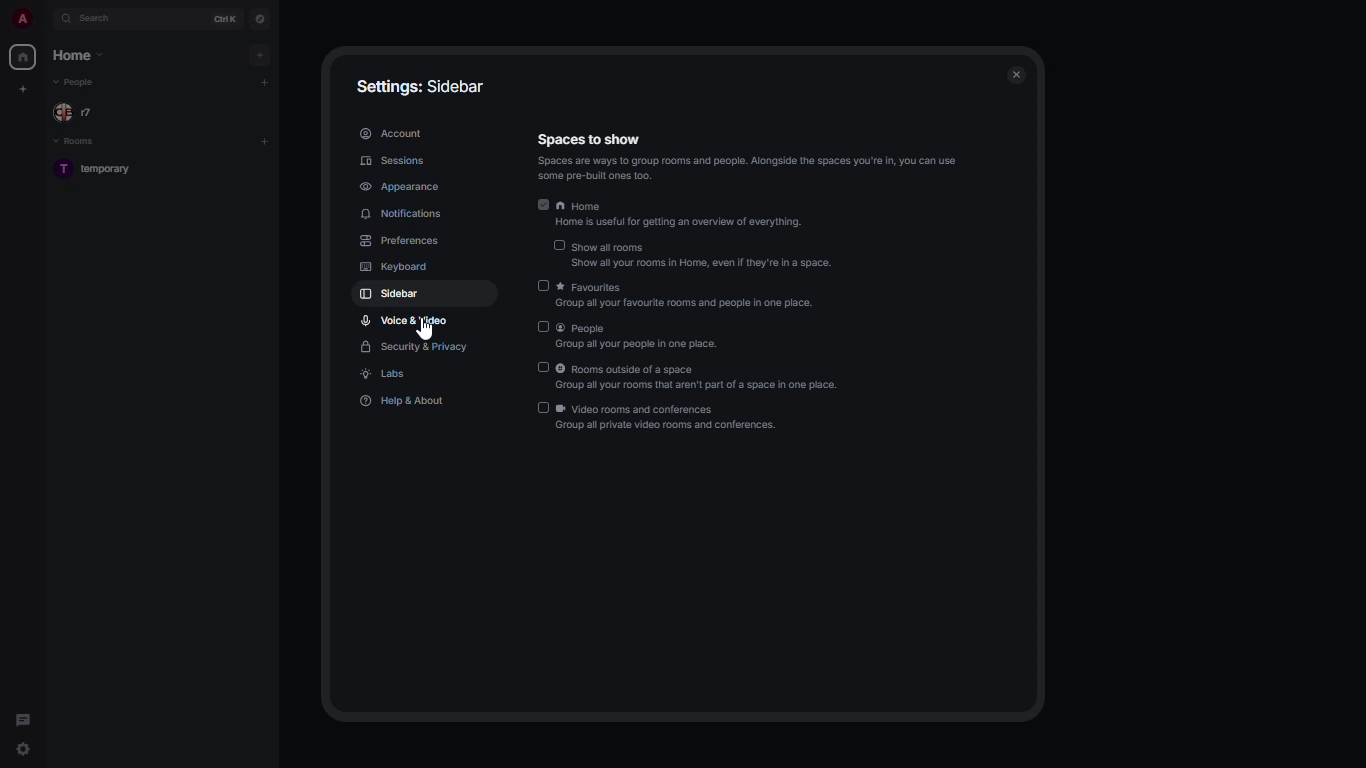 This screenshot has width=1366, height=768. Describe the element at coordinates (544, 202) in the screenshot. I see `enabled` at that location.